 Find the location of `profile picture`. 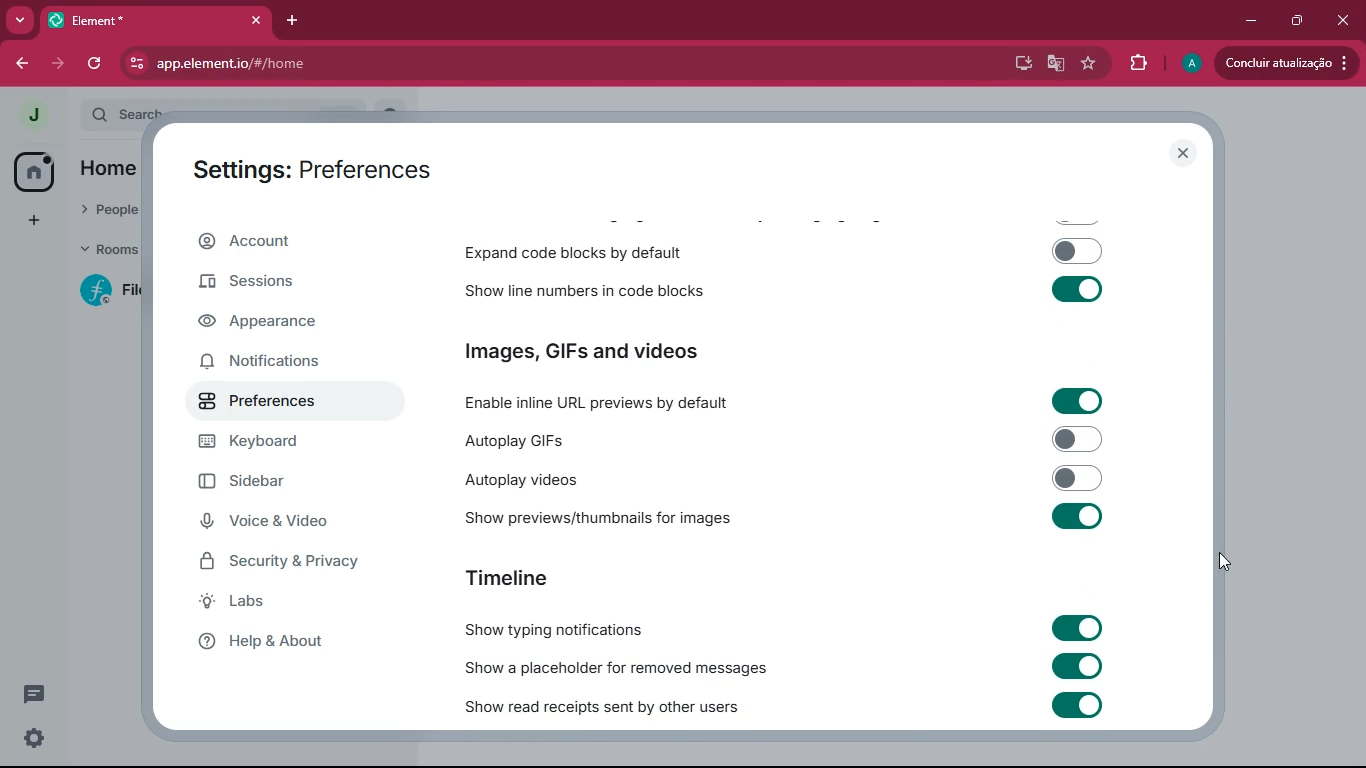

profile picture is located at coordinates (32, 115).